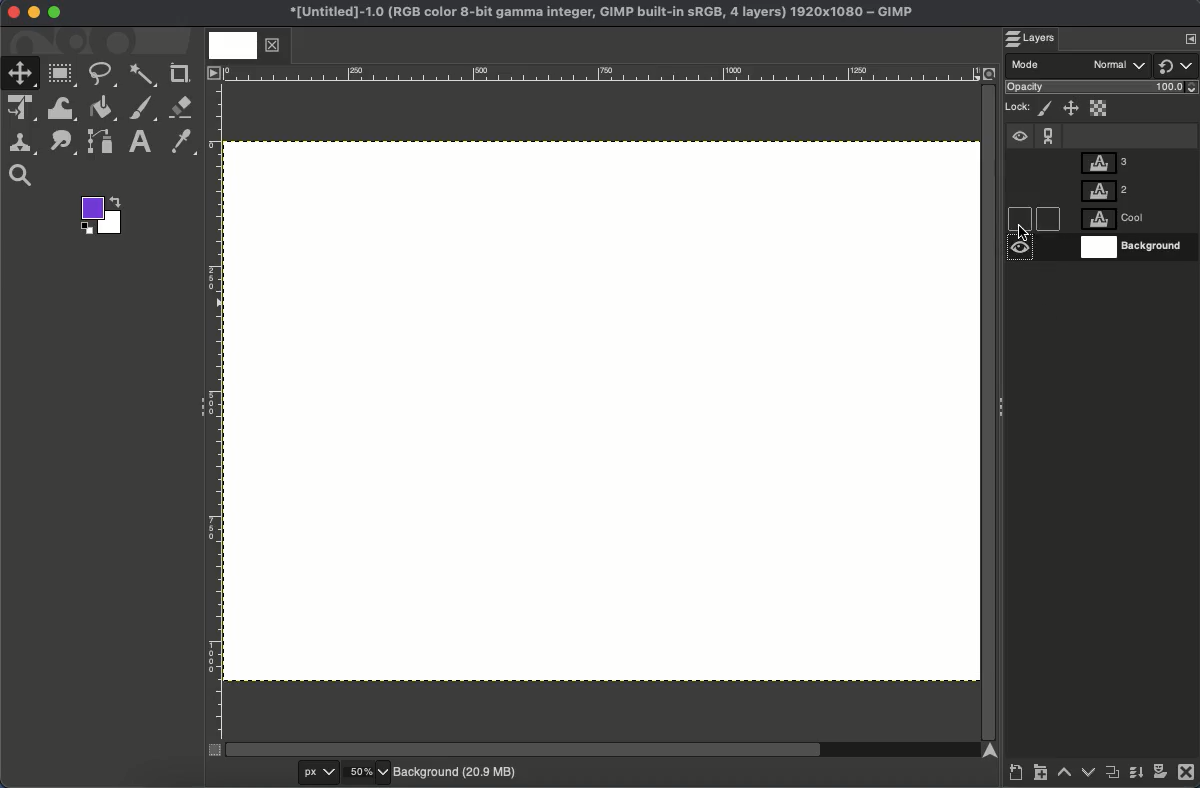  What do you see at coordinates (142, 141) in the screenshot?
I see `Text` at bounding box center [142, 141].